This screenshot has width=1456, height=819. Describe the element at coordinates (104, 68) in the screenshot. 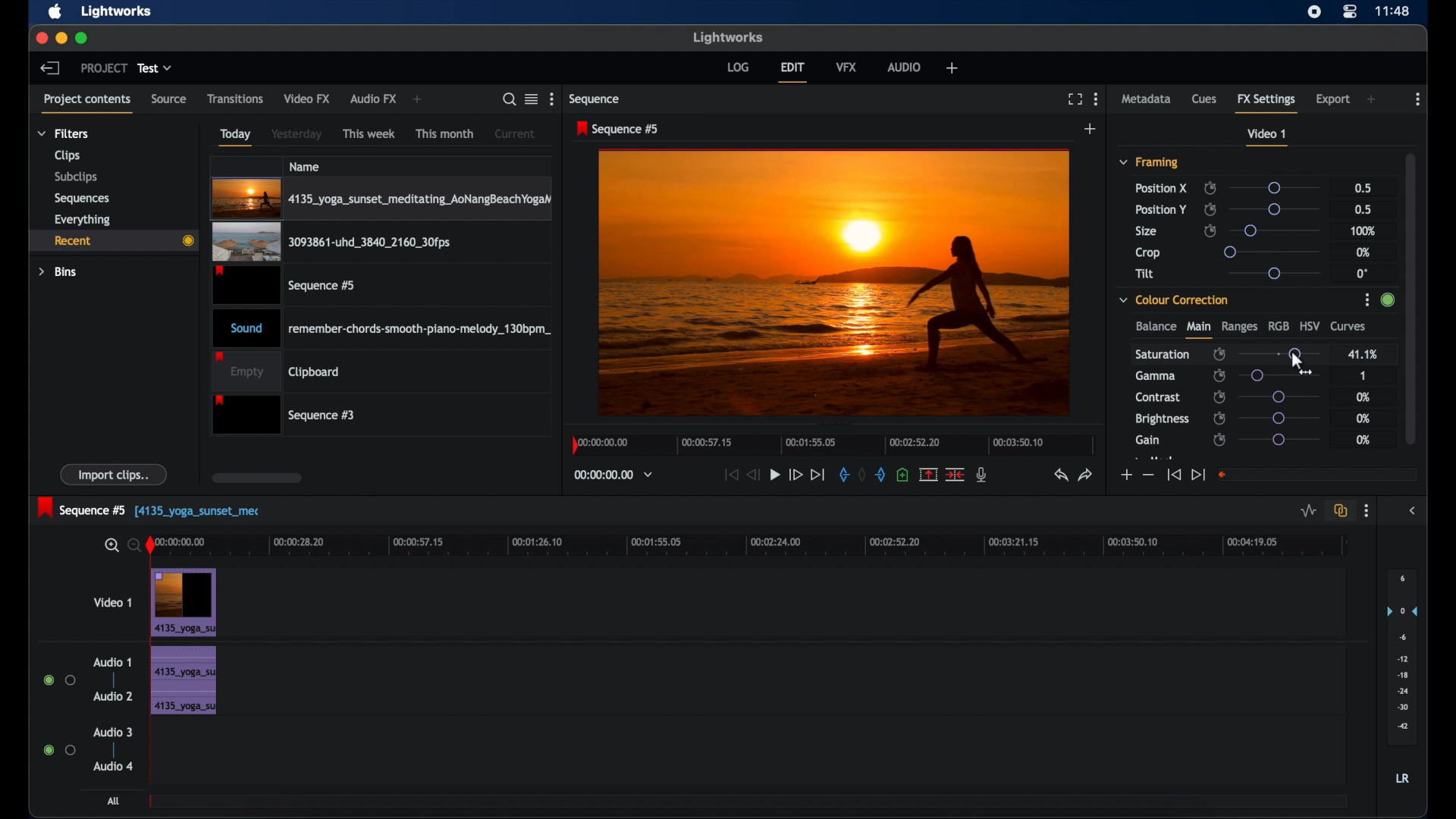

I see `project` at that location.